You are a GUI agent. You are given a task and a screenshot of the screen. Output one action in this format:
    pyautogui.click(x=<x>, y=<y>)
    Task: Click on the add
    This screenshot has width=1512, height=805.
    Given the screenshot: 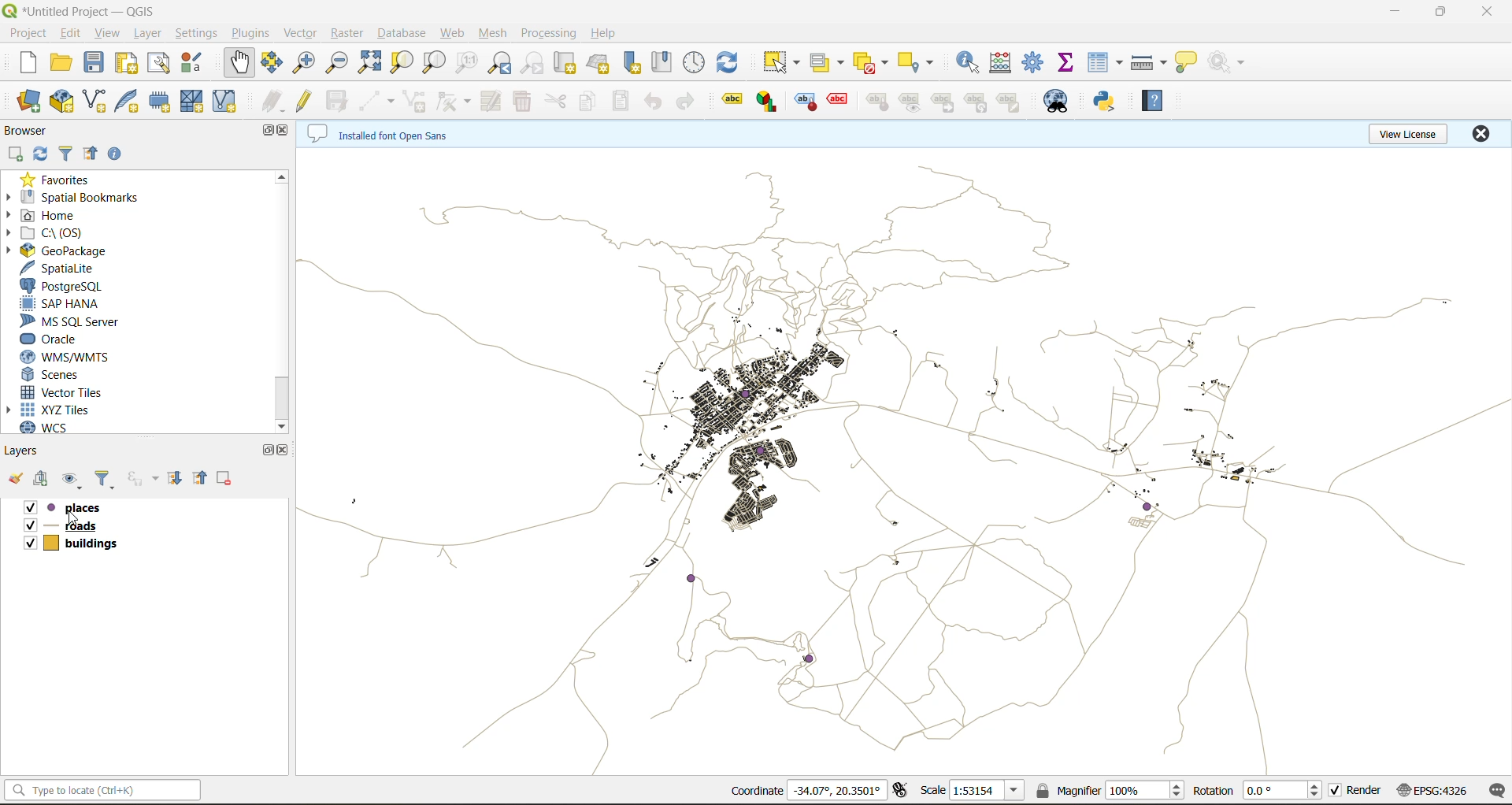 What is the action you would take?
    pyautogui.click(x=15, y=154)
    